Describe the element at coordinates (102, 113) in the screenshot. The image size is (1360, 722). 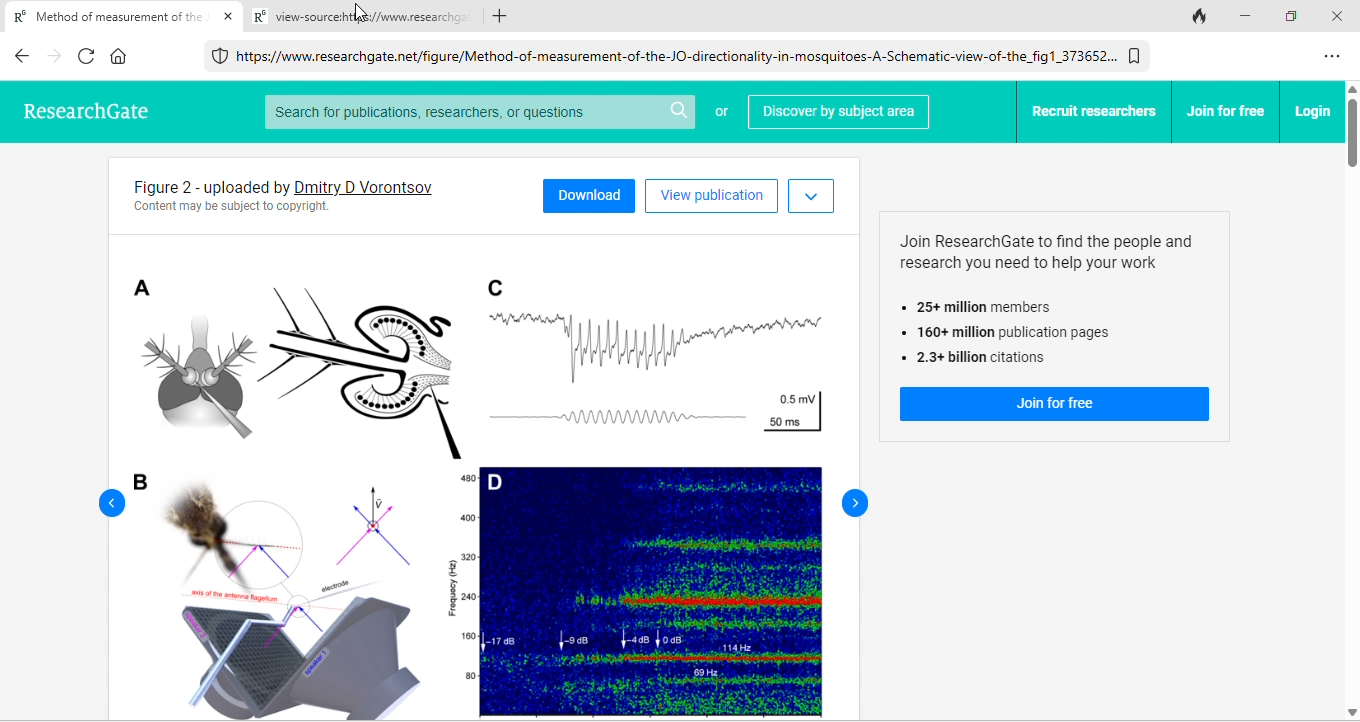
I see `research gate` at that location.